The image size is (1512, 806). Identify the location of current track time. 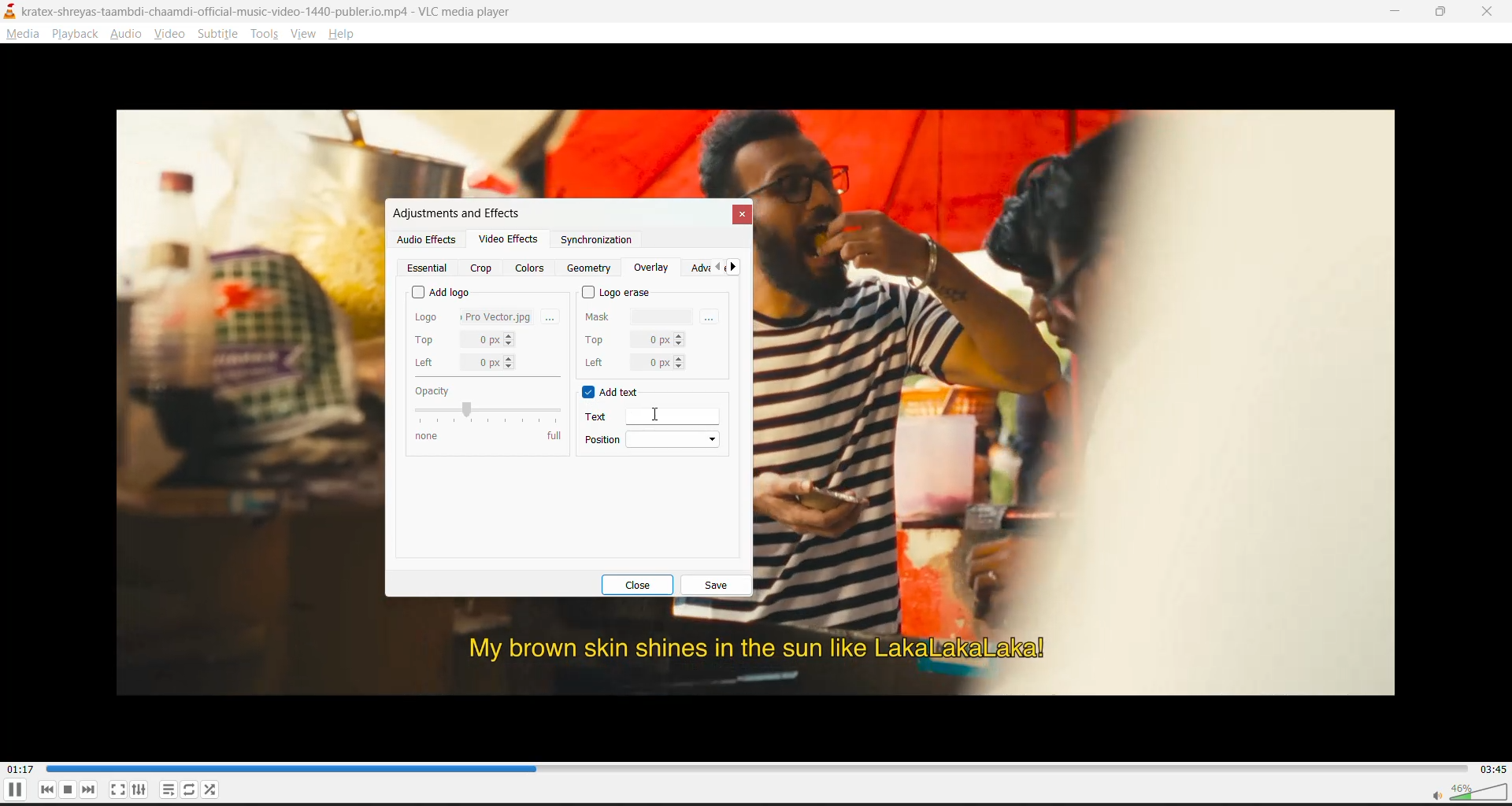
(23, 767).